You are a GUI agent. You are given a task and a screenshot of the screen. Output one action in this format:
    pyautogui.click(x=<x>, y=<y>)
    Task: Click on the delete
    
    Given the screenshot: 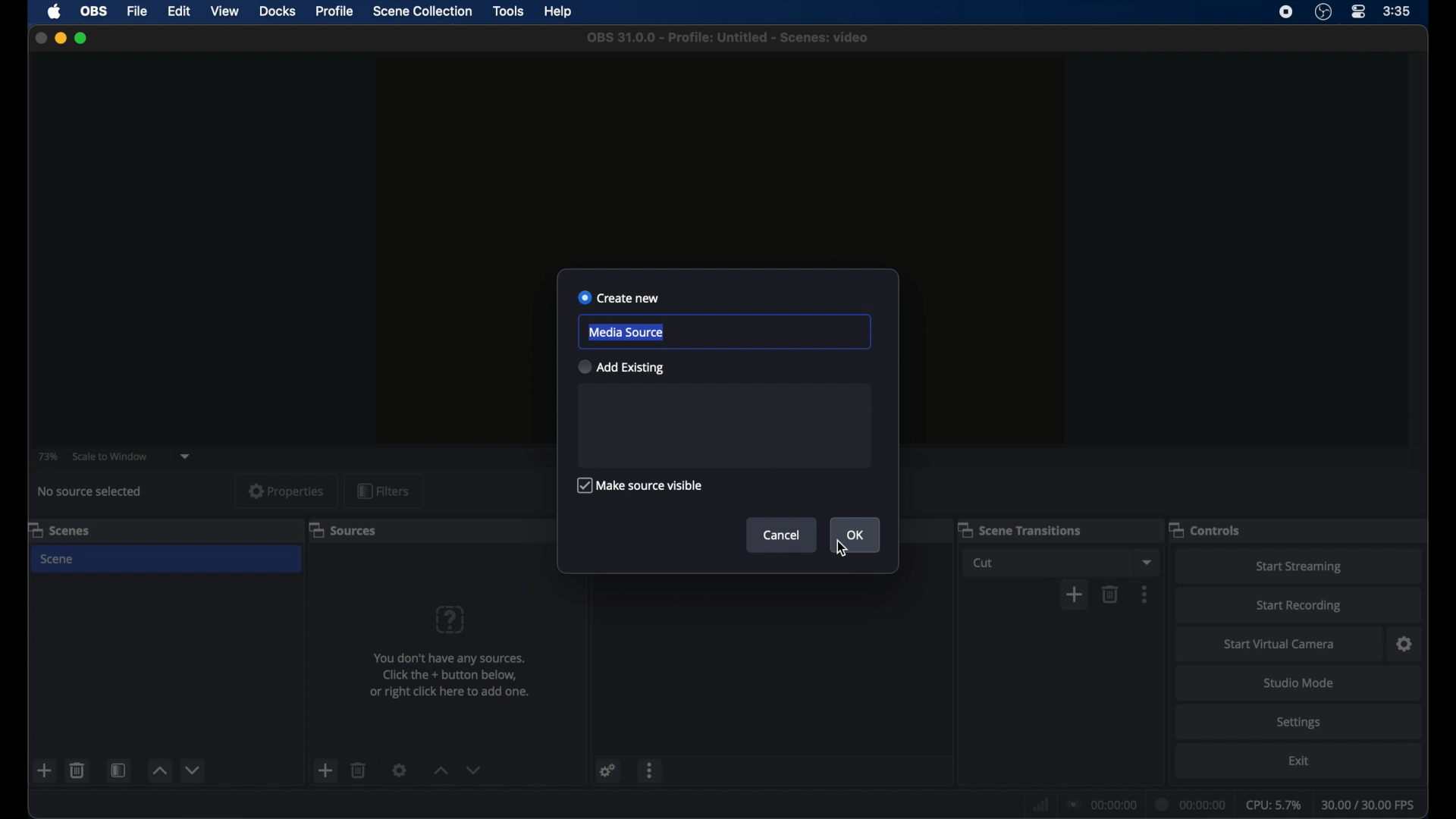 What is the action you would take?
    pyautogui.click(x=359, y=770)
    